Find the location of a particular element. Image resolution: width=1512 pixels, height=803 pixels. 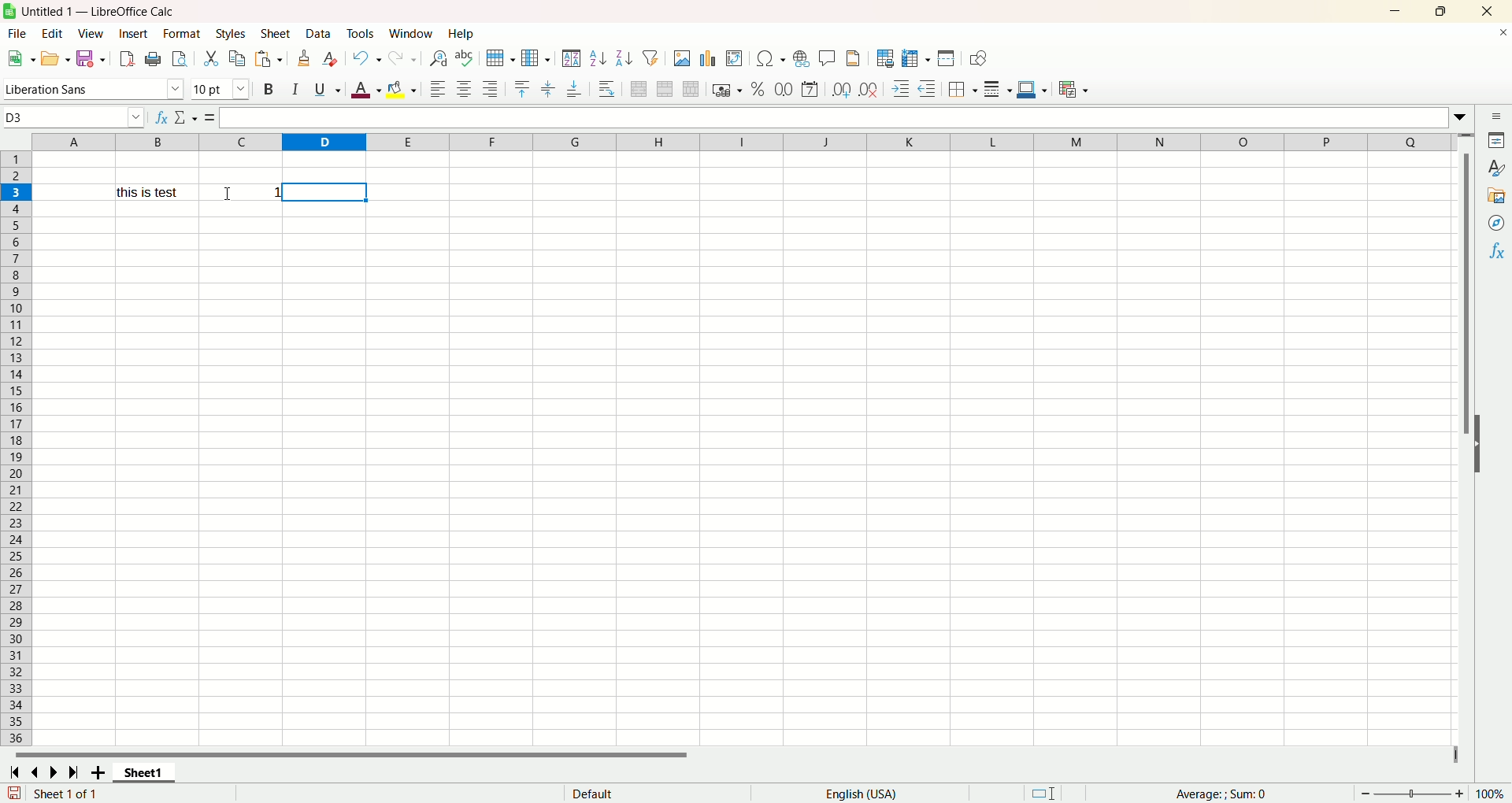

sheet is located at coordinates (277, 35).